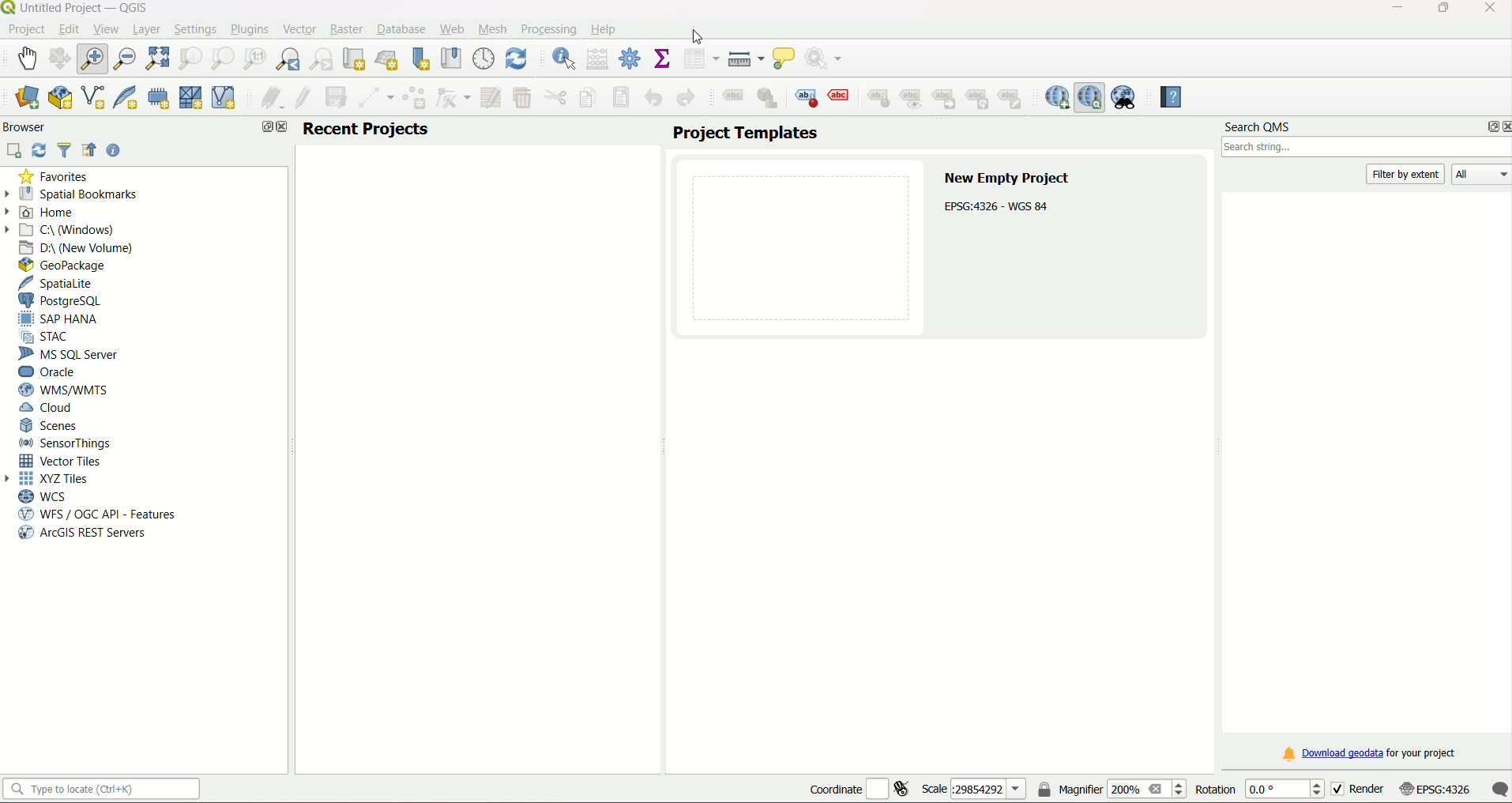  I want to click on render, so click(1356, 789).